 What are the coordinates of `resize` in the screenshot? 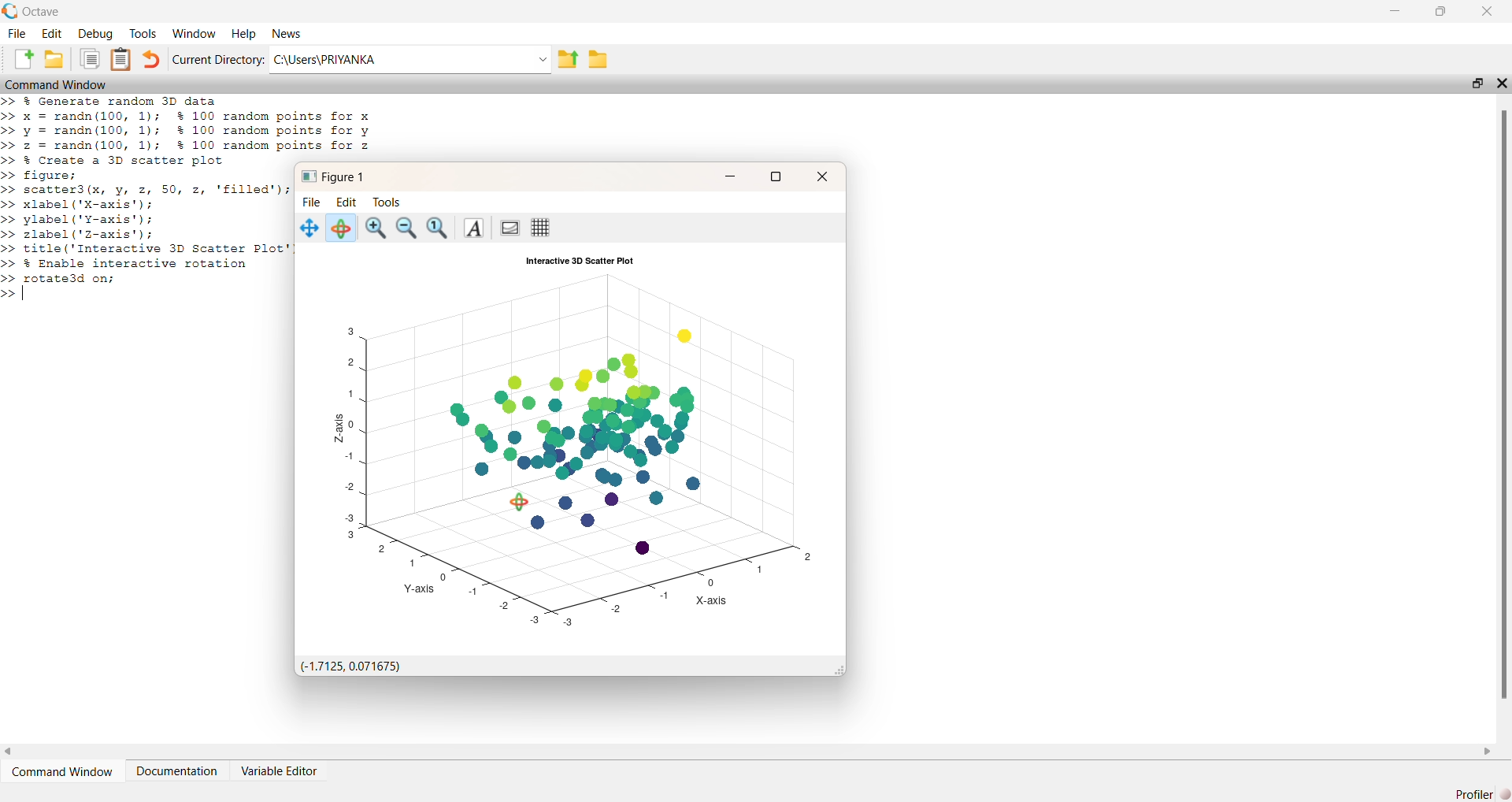 It's located at (775, 178).